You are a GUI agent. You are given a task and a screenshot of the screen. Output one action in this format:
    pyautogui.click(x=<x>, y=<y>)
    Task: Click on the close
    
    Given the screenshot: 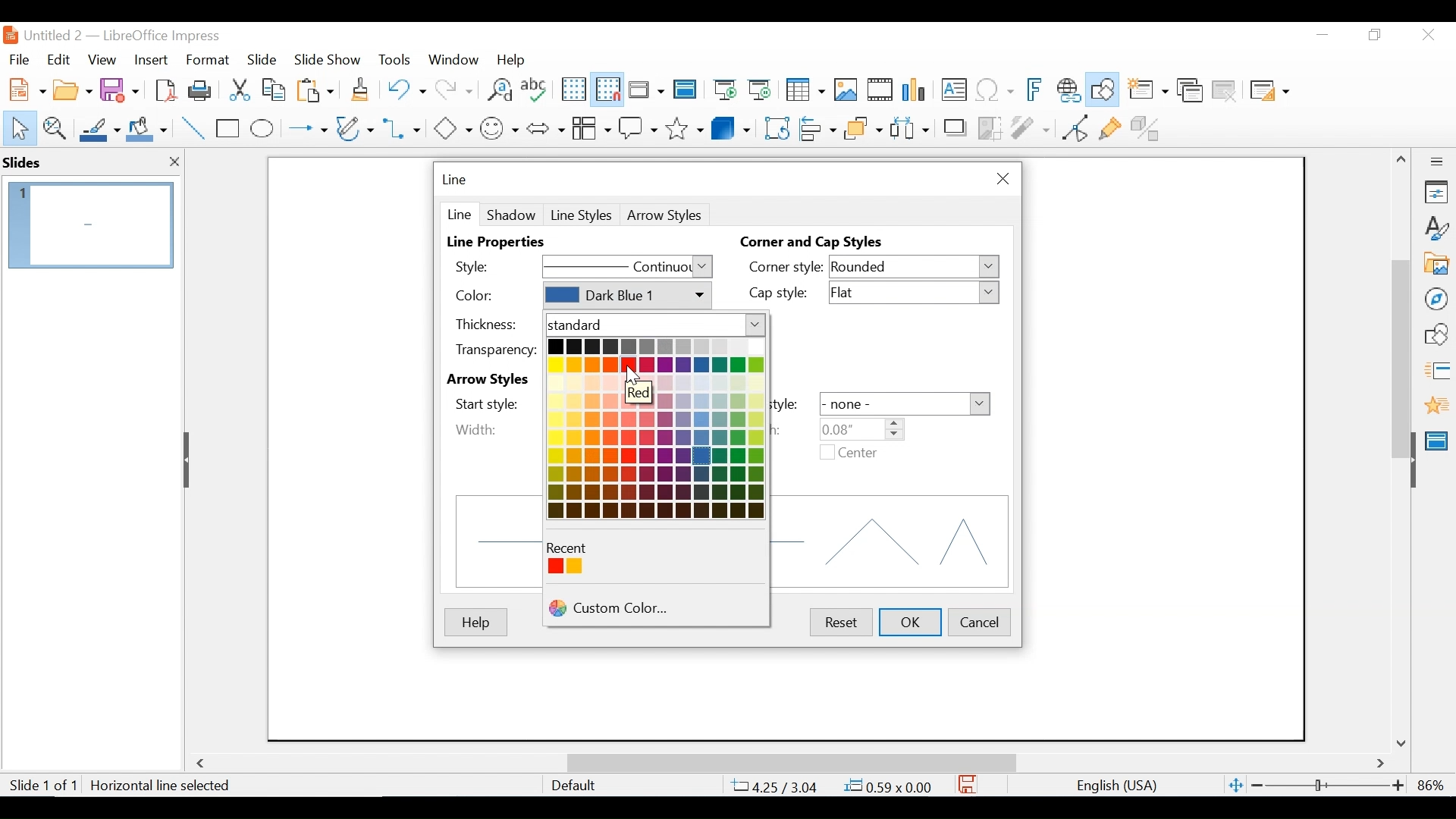 What is the action you would take?
    pyautogui.click(x=174, y=163)
    